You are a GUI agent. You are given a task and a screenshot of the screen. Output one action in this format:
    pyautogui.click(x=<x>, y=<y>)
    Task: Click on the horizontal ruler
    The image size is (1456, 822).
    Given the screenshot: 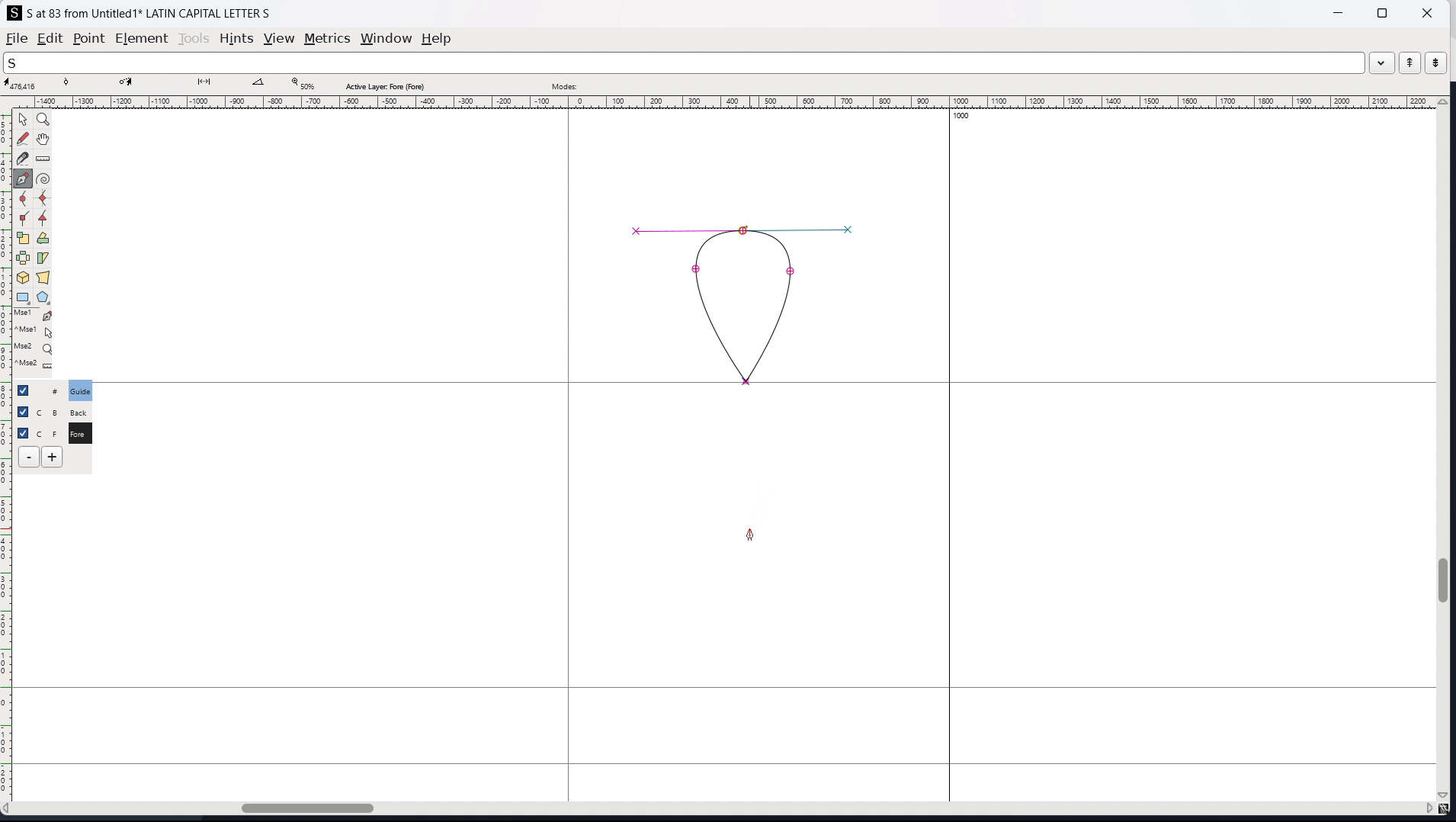 What is the action you would take?
    pyautogui.click(x=720, y=102)
    